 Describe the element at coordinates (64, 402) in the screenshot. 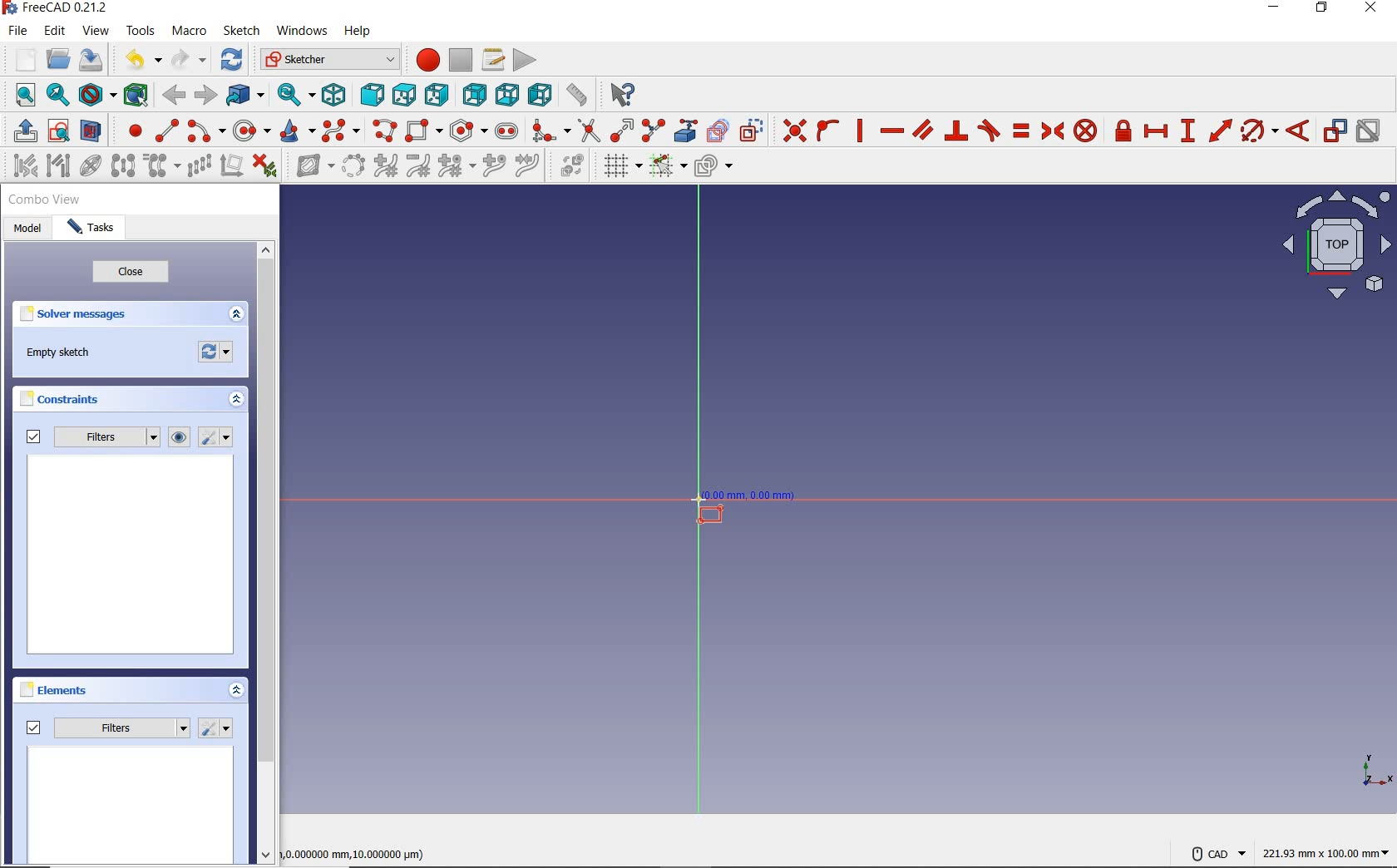

I see `constraints` at that location.